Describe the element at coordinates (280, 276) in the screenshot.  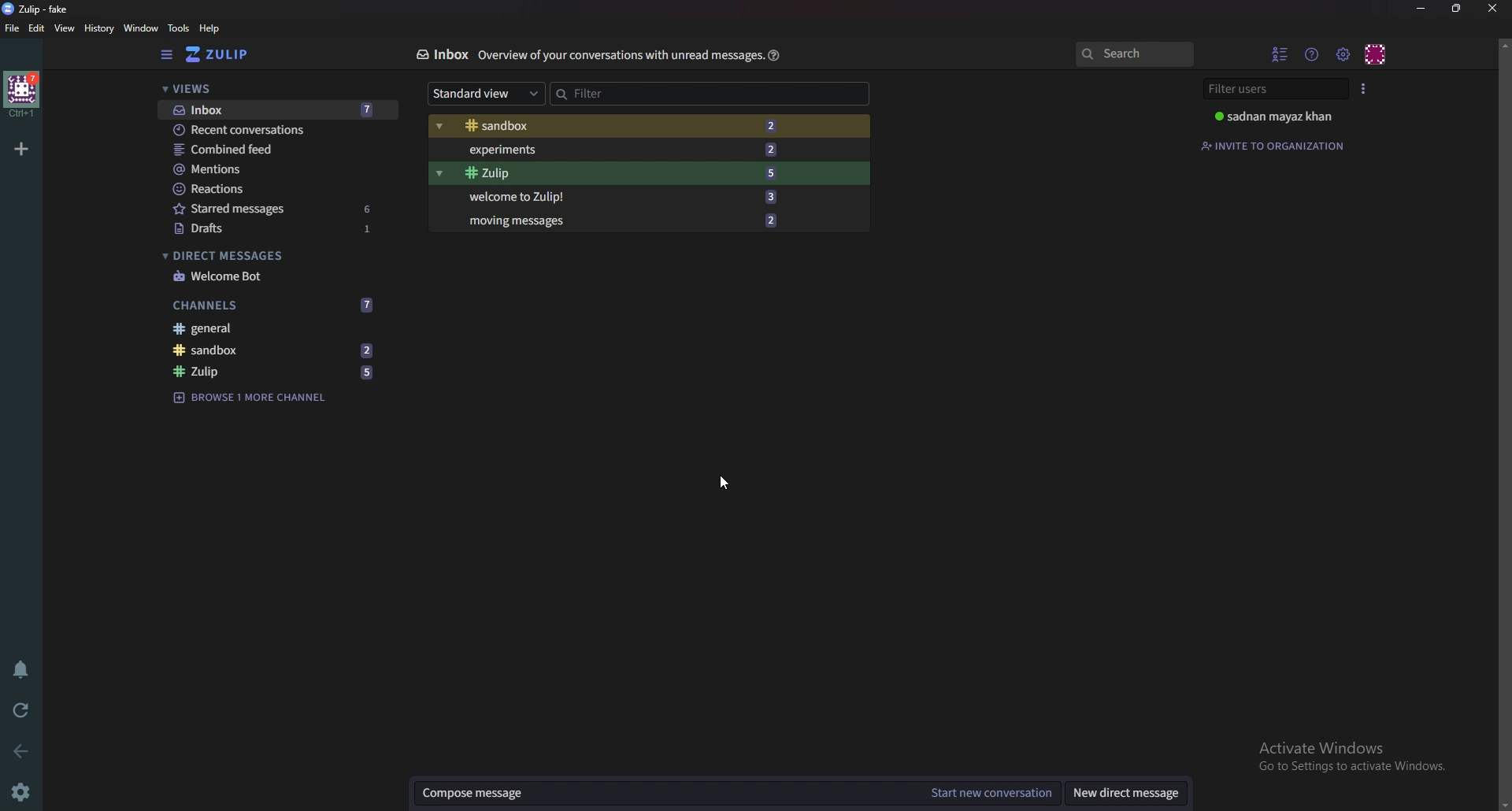
I see `Welcome bot` at that location.